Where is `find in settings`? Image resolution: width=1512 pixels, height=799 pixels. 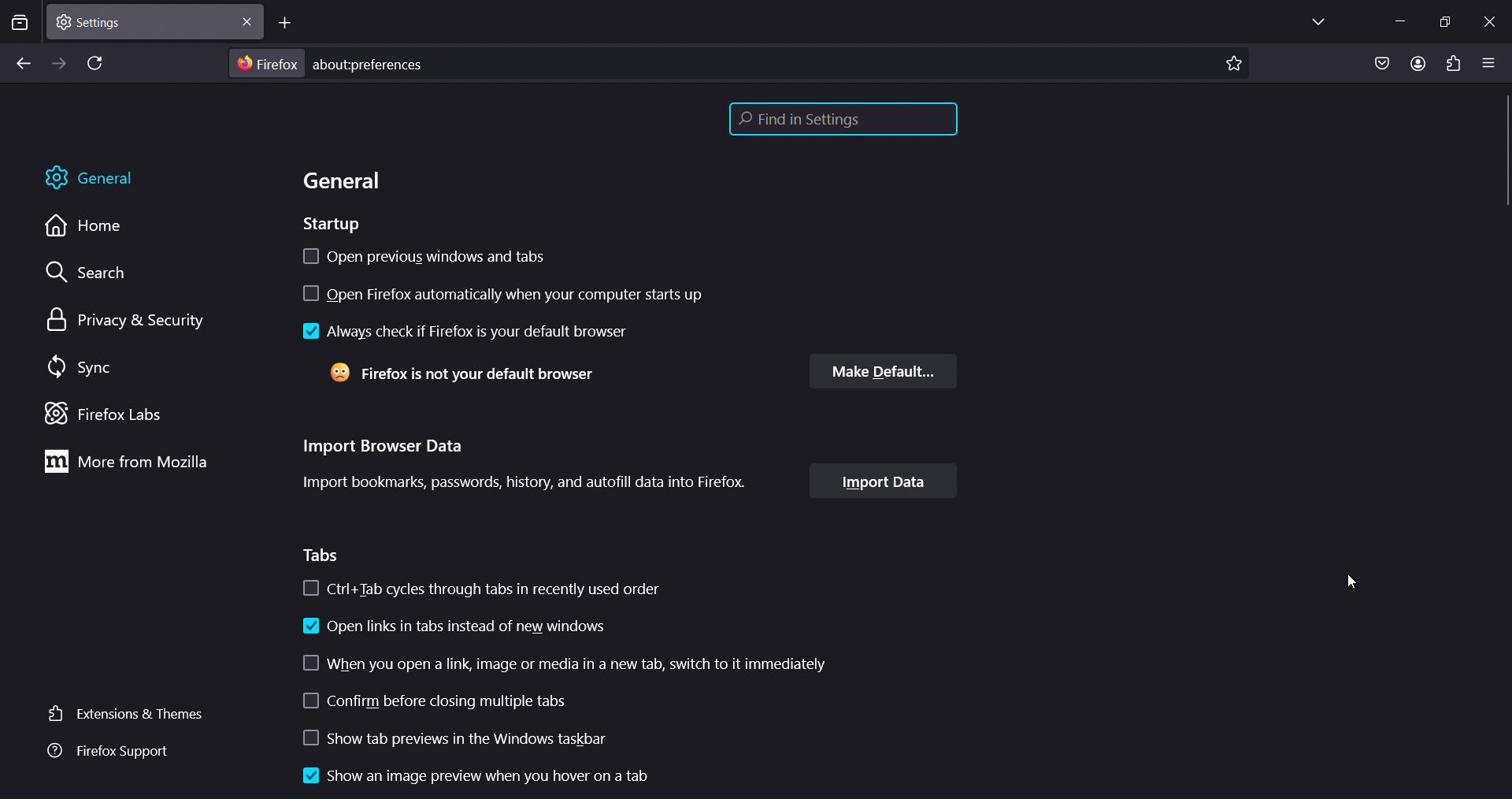
find in settings is located at coordinates (843, 120).